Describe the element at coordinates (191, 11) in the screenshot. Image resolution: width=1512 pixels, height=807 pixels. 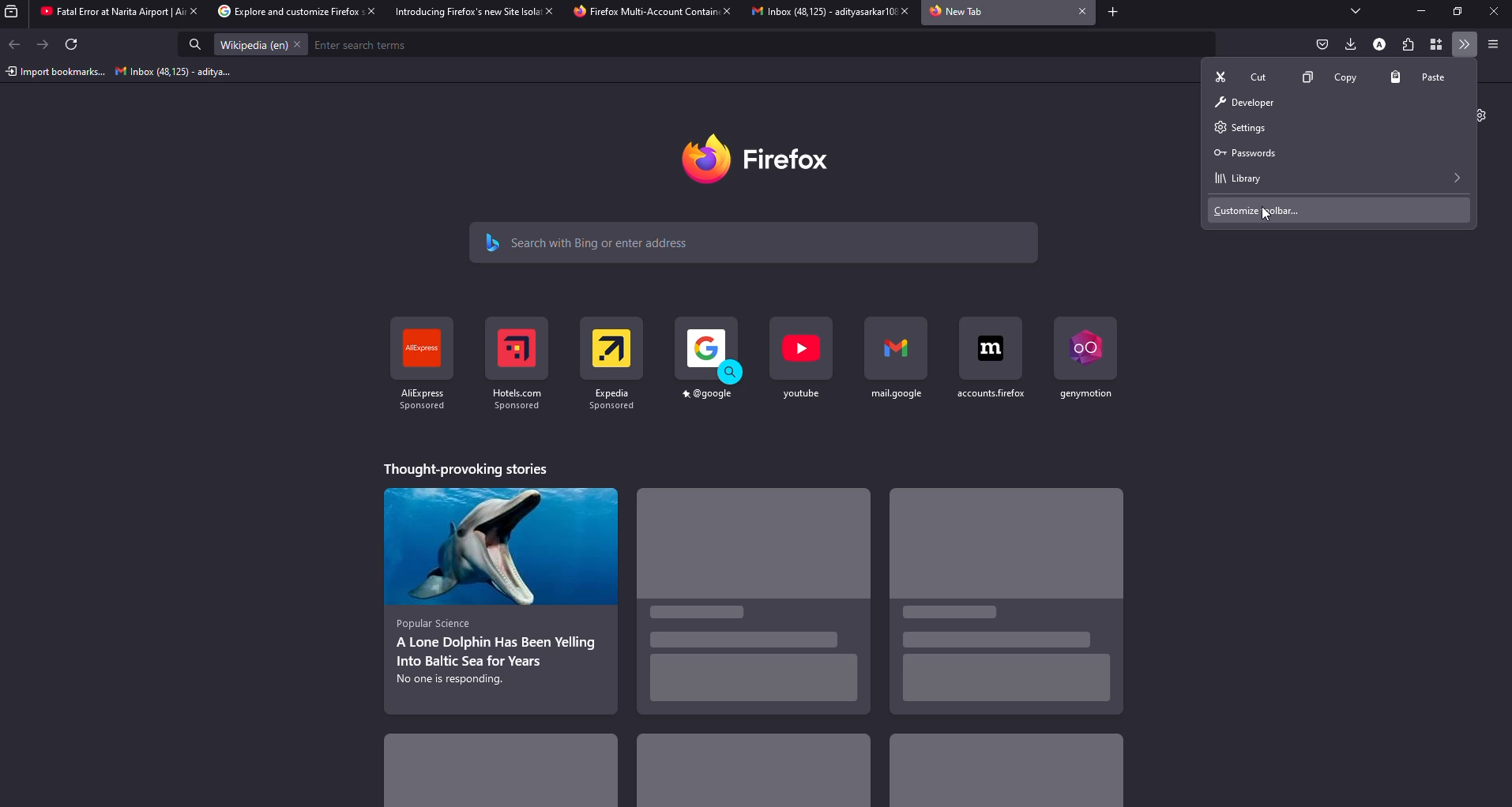
I see `close` at that location.